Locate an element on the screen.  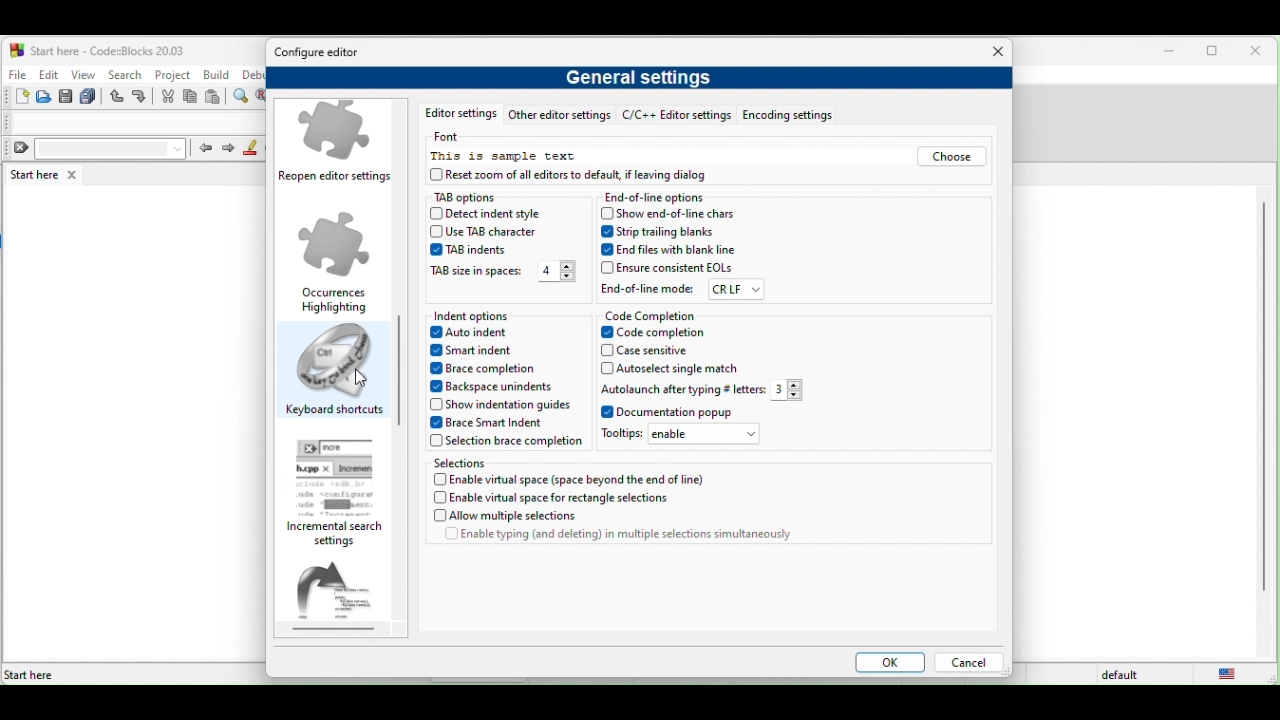
prev is located at coordinates (204, 147).